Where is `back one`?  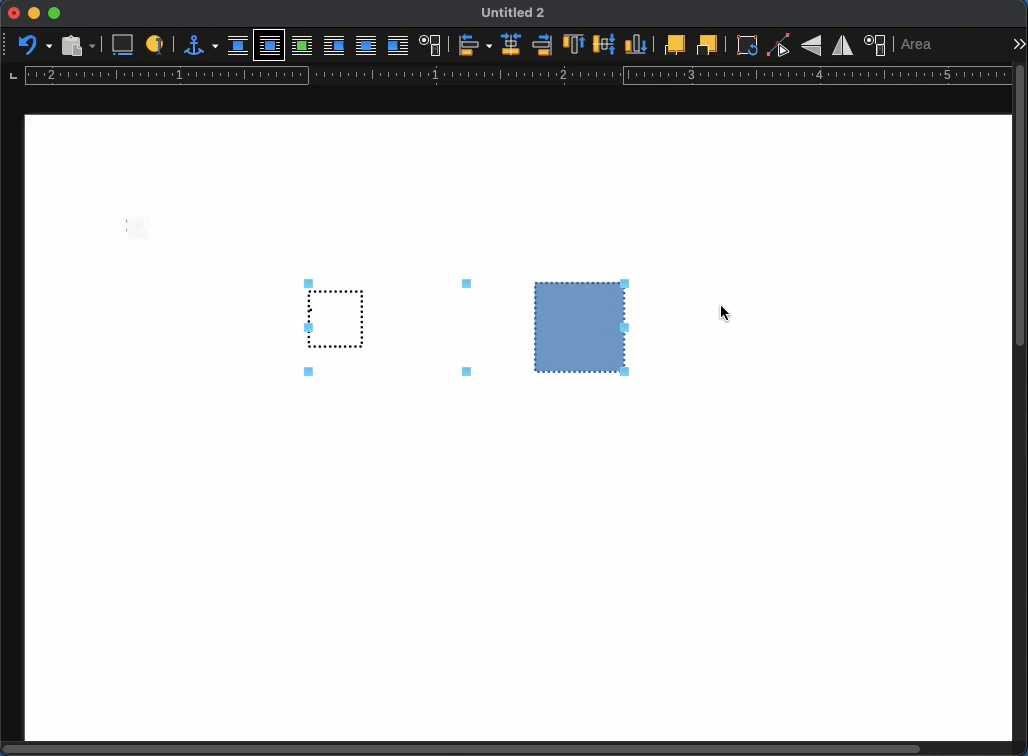
back one is located at coordinates (707, 46).